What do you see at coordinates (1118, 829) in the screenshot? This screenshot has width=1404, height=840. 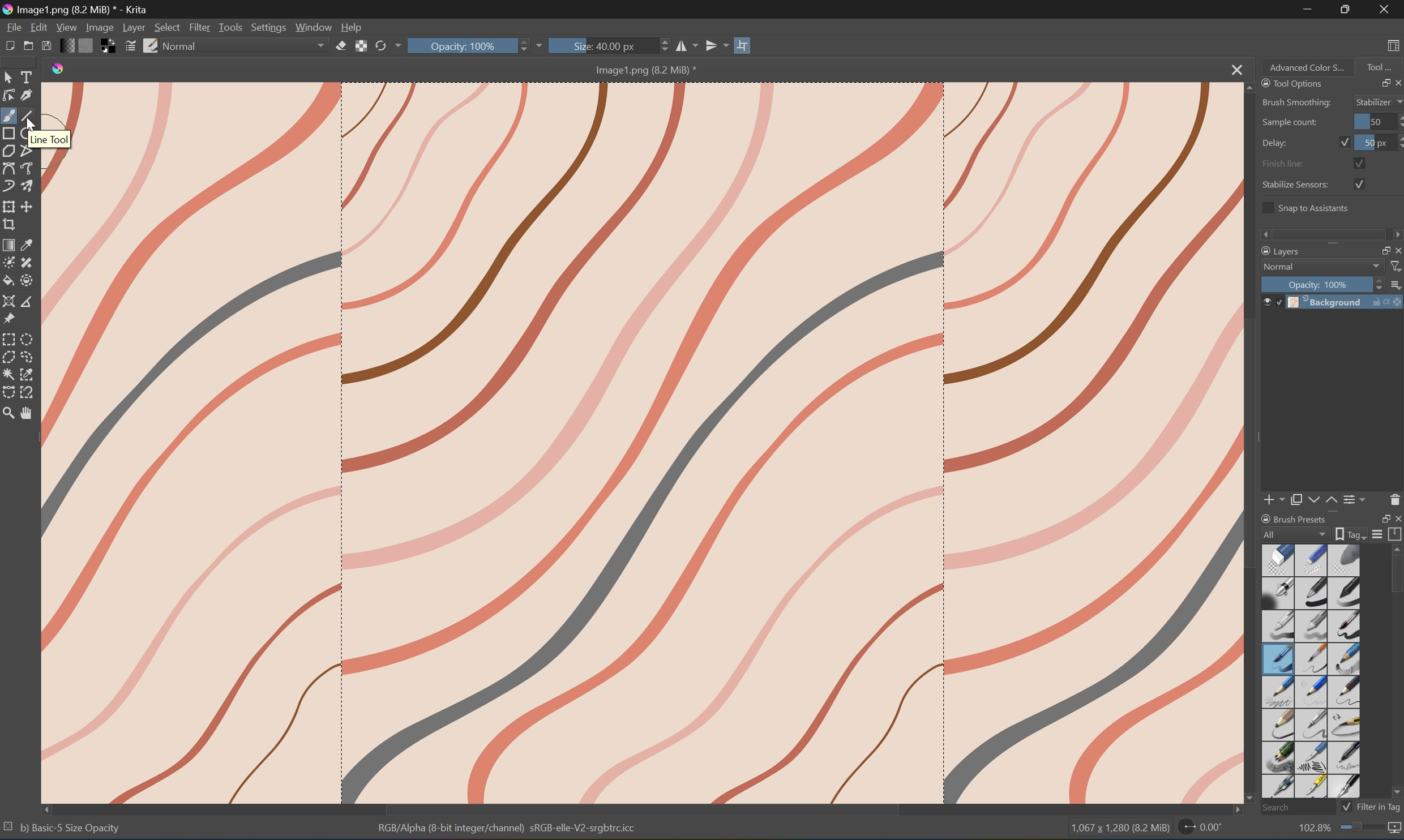 I see `1,067 * 1,280 (3.2 MB)` at bounding box center [1118, 829].